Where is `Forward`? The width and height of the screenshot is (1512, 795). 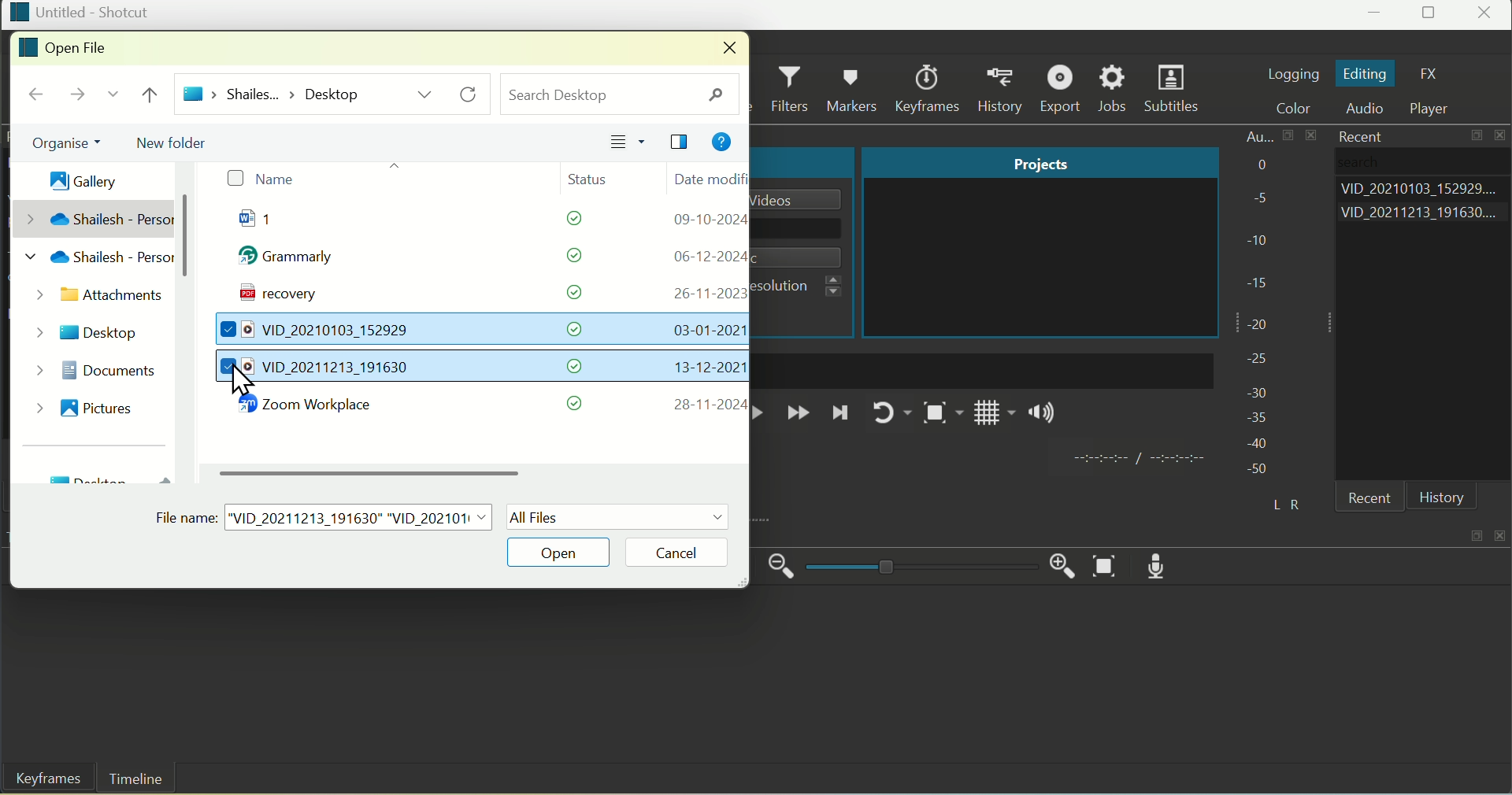
Forward is located at coordinates (798, 414).